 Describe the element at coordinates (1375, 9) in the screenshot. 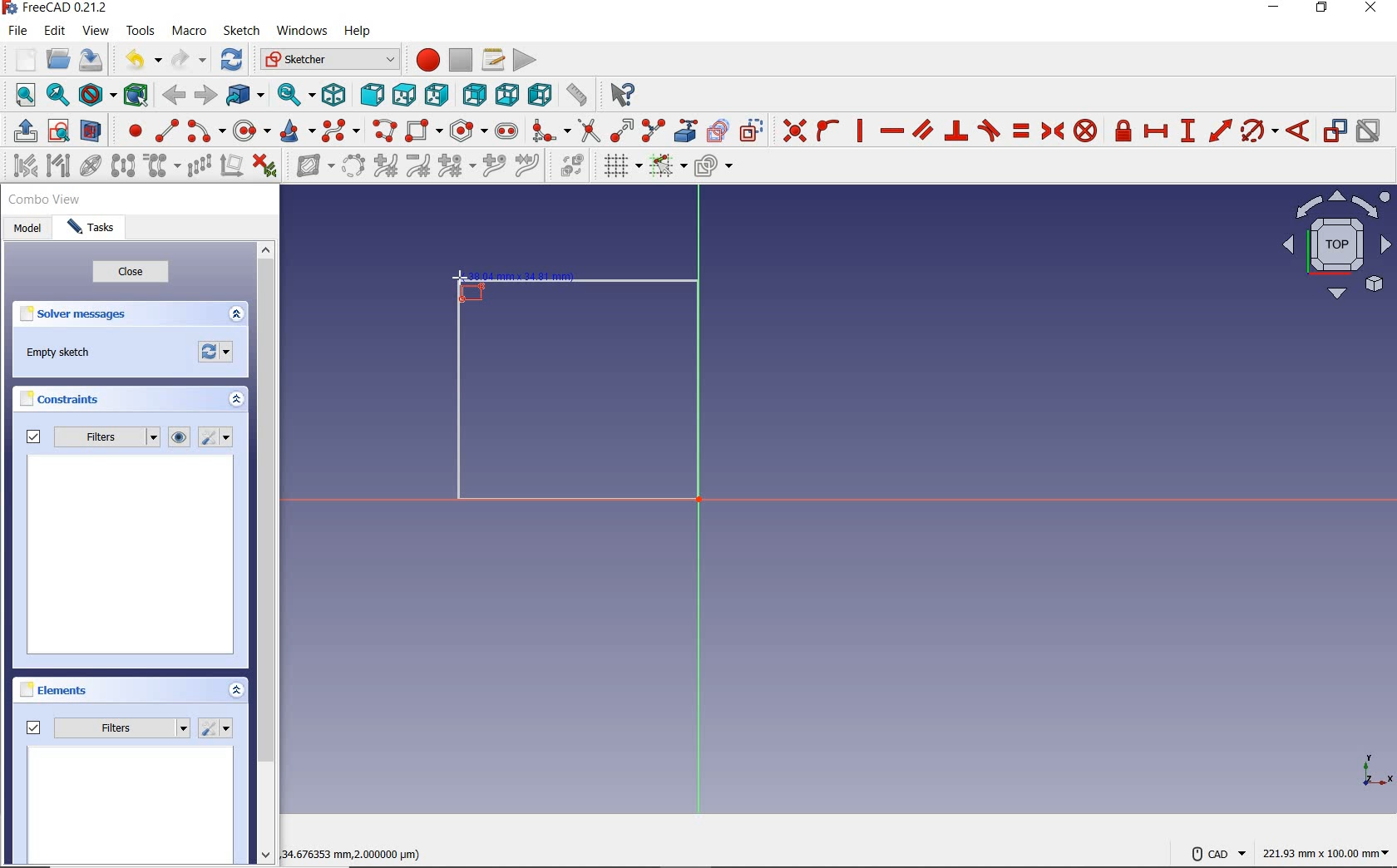

I see `close` at that location.